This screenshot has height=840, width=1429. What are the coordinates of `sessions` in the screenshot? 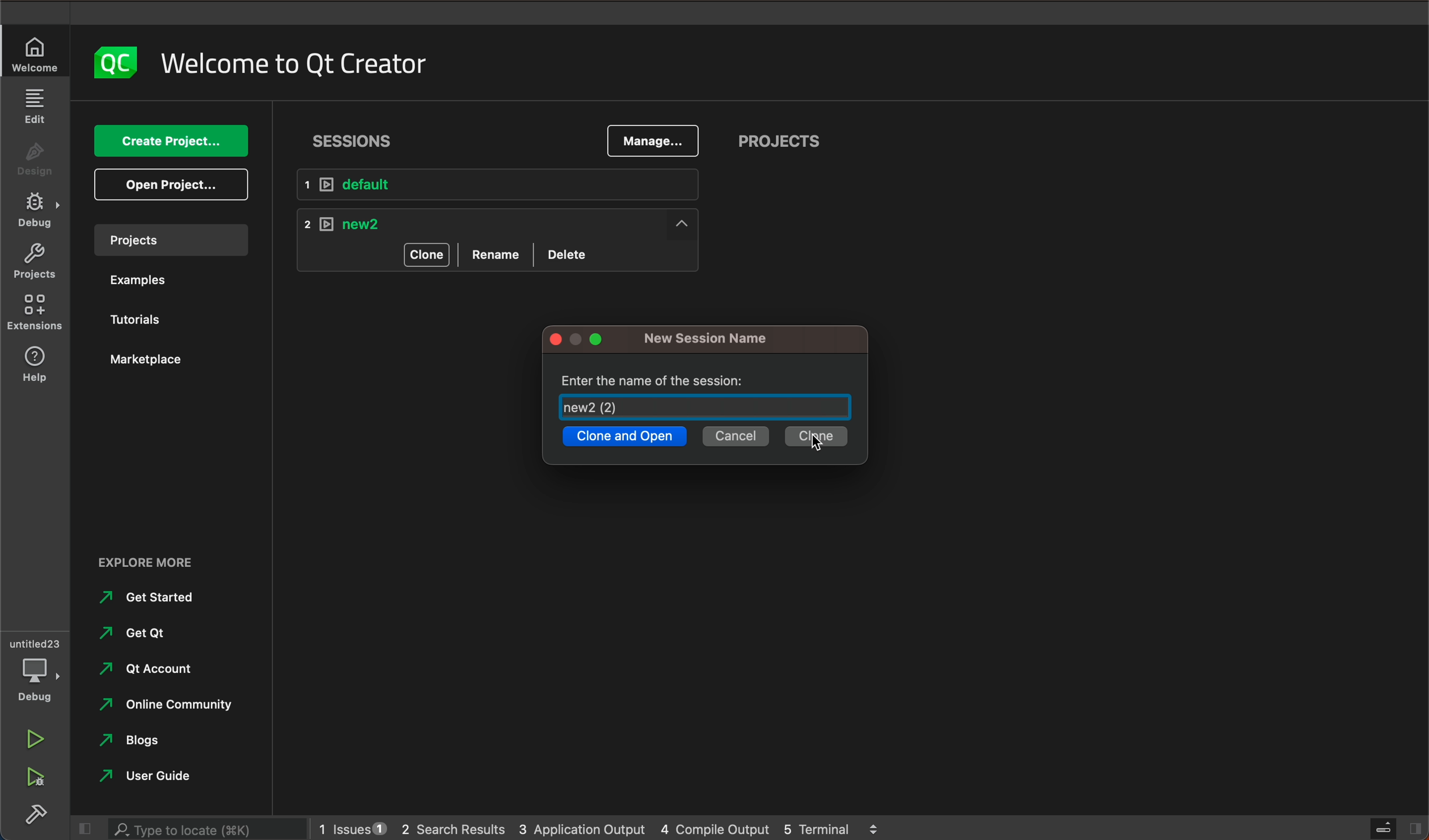 It's located at (353, 142).